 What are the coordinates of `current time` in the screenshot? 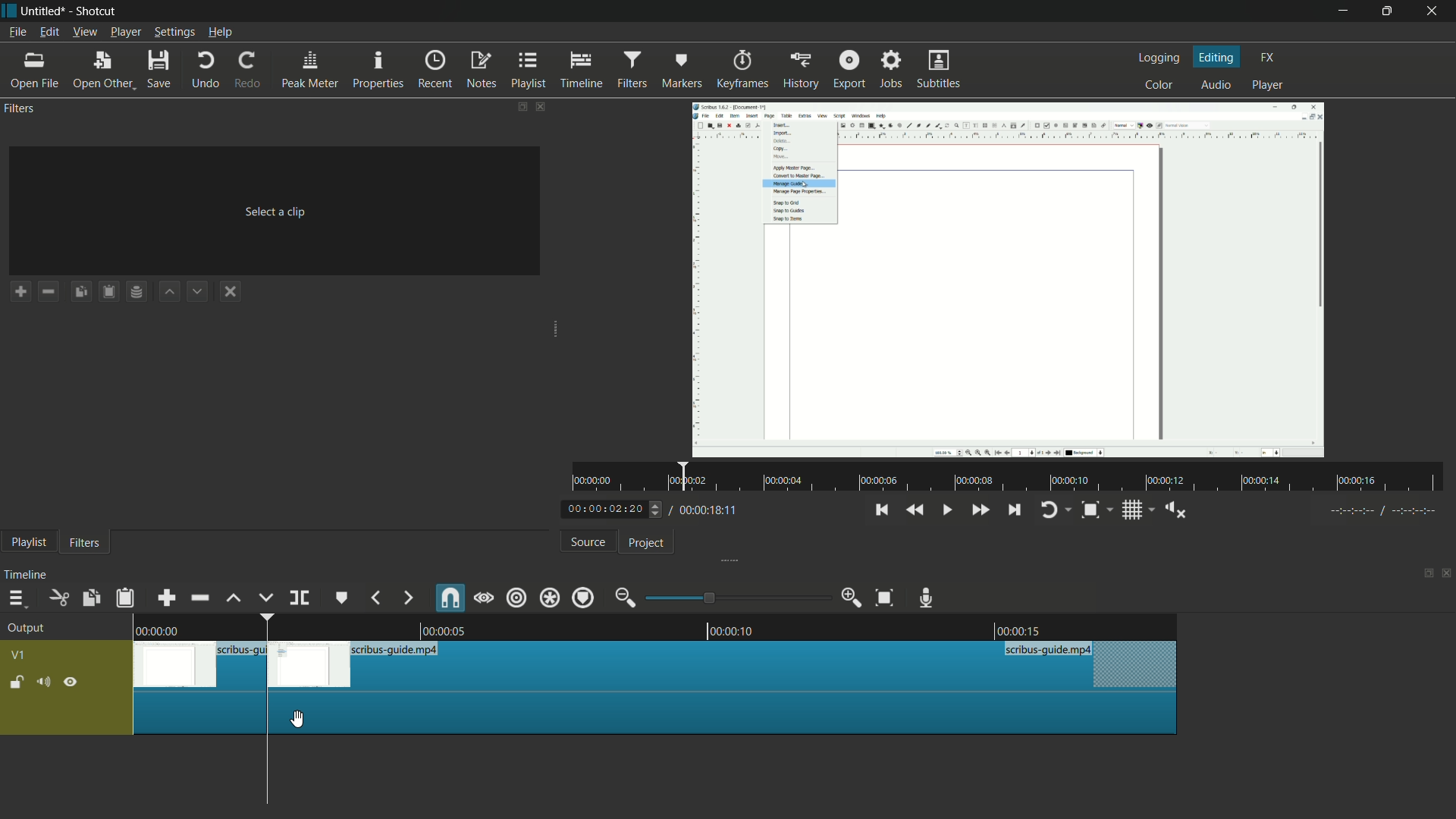 It's located at (603, 510).